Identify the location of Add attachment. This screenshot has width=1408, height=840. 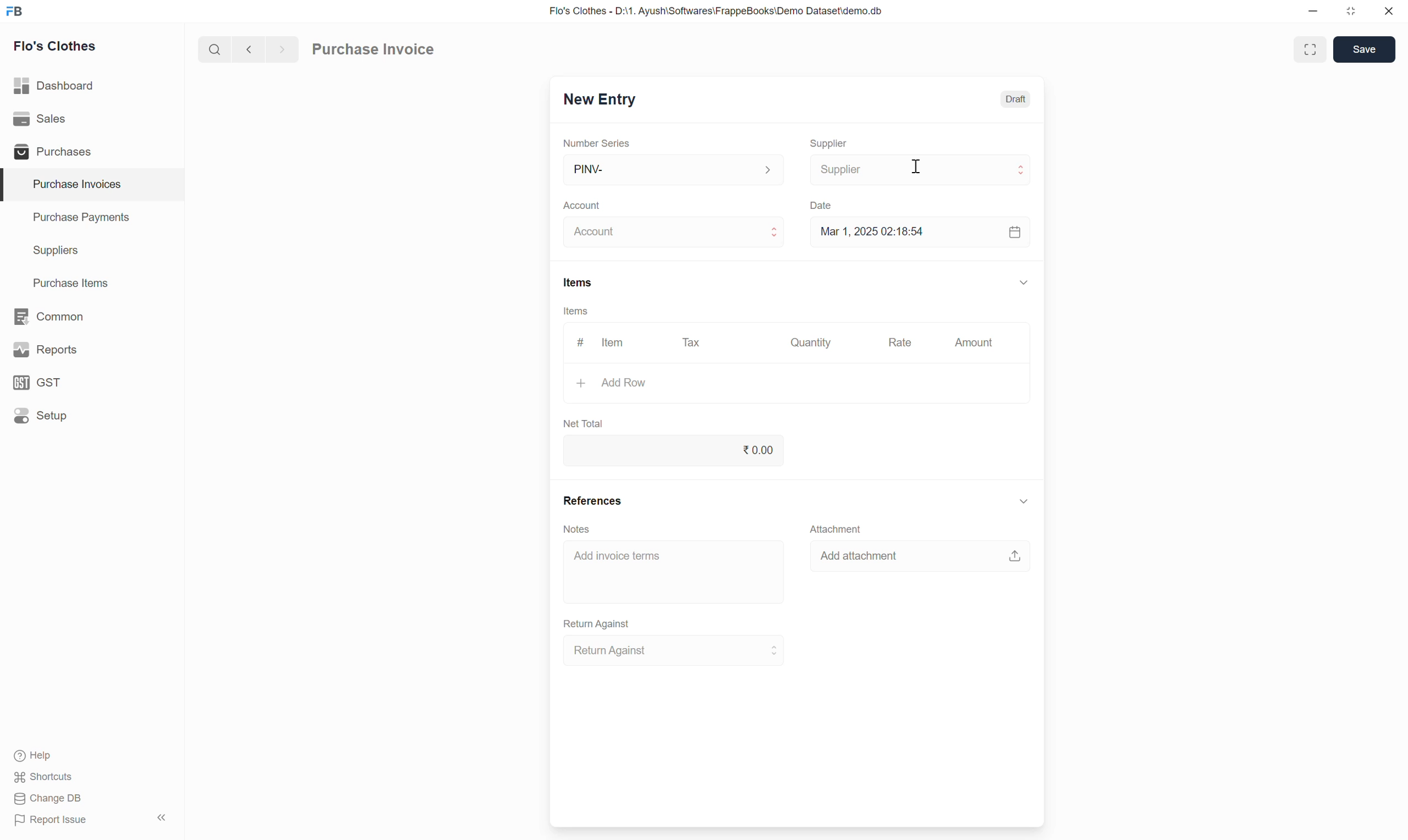
(920, 556).